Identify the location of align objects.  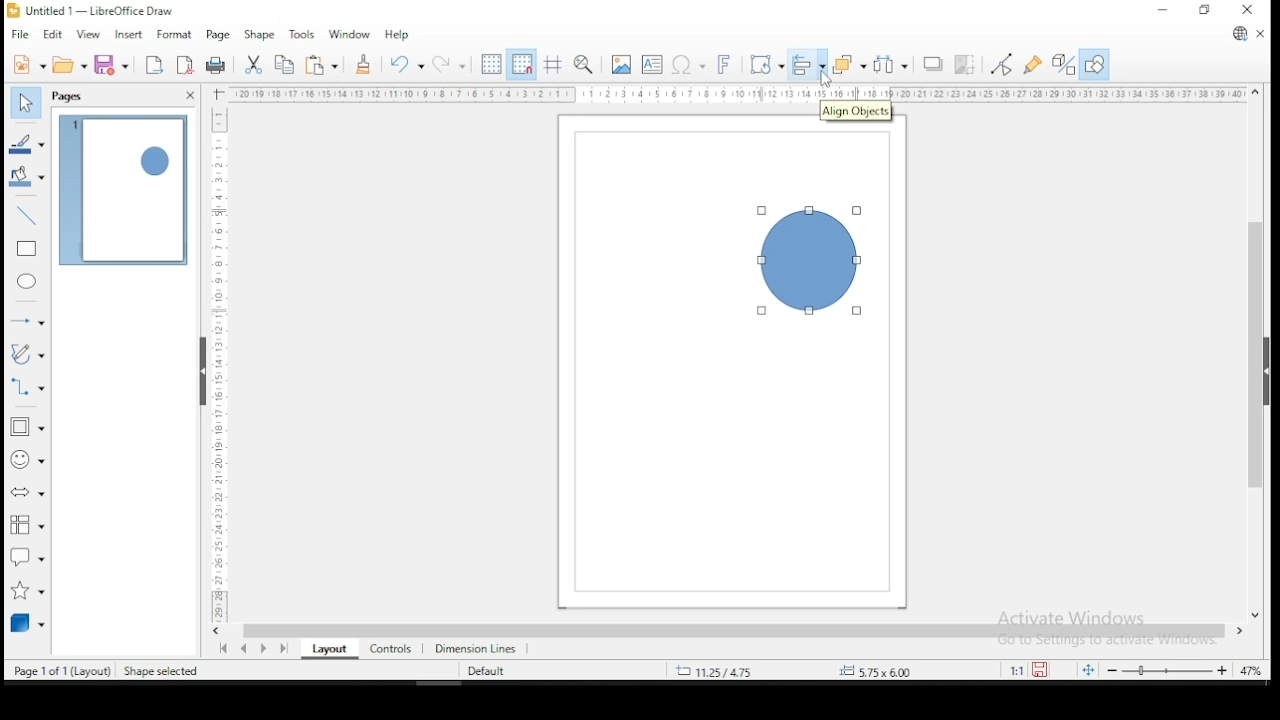
(806, 65).